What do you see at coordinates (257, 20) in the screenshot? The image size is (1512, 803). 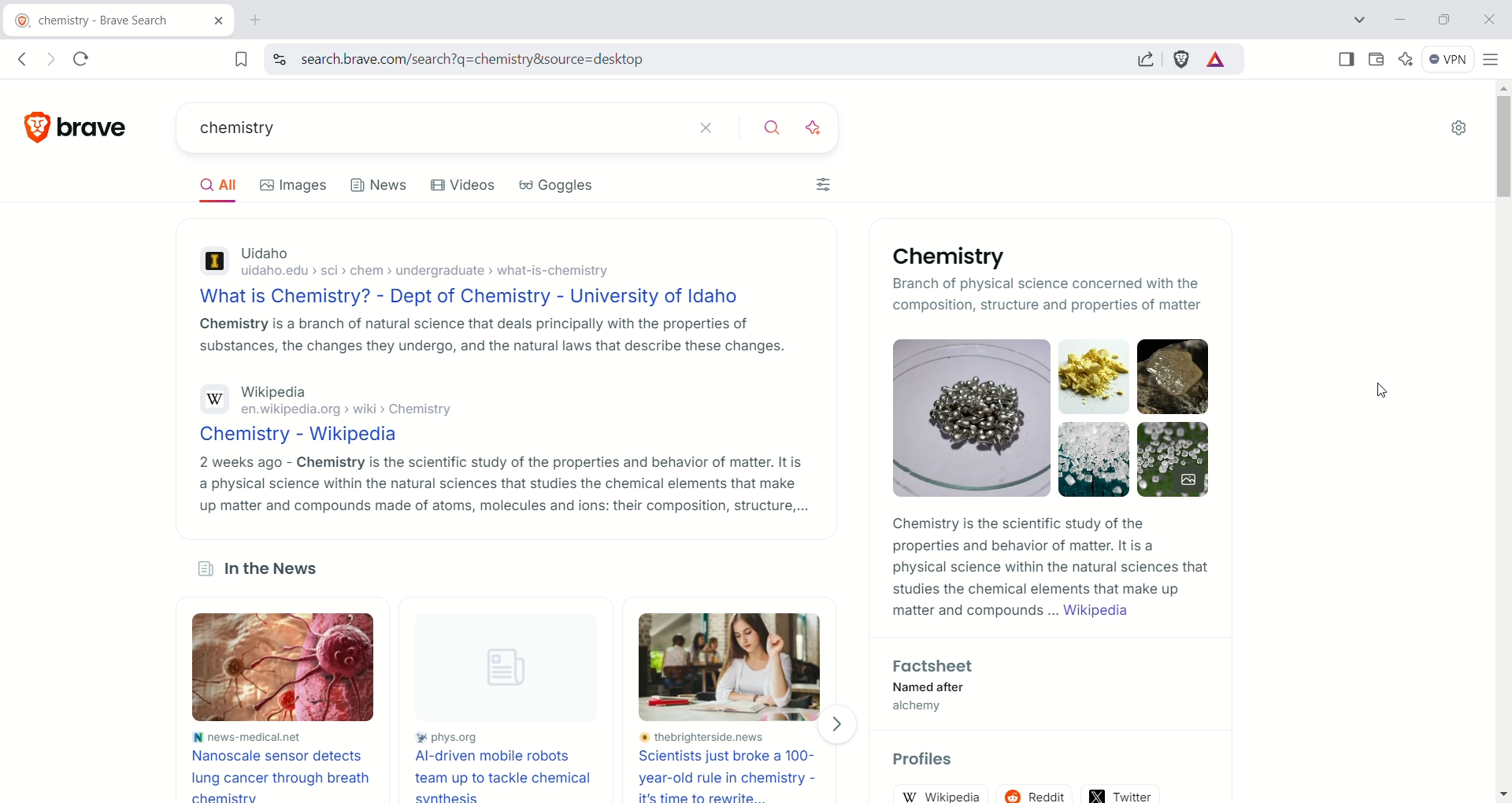 I see `new tab` at bounding box center [257, 20].